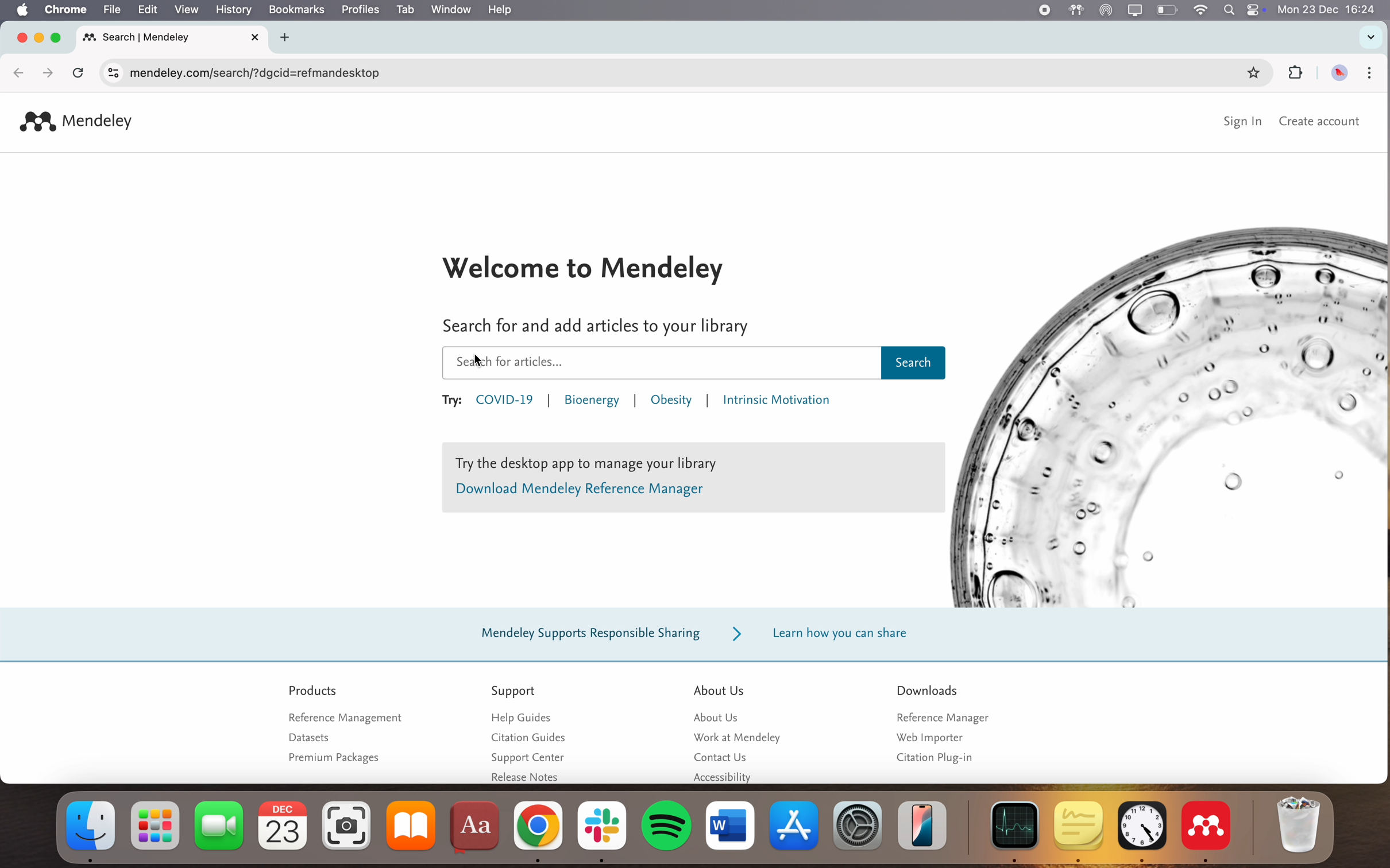 Image resolution: width=1390 pixels, height=868 pixels. What do you see at coordinates (940, 718) in the screenshot?
I see `reference manager` at bounding box center [940, 718].